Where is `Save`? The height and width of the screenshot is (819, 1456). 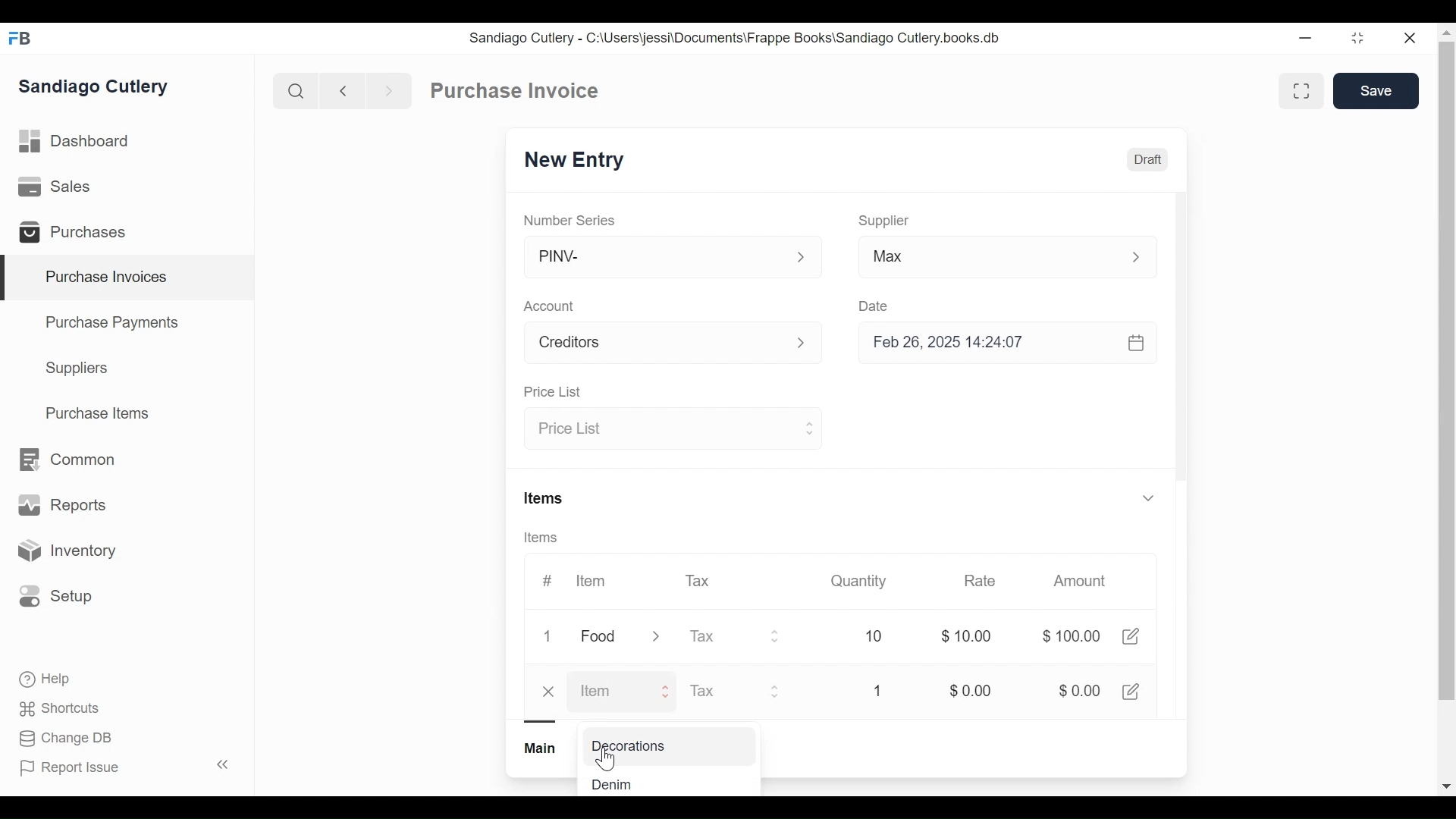
Save is located at coordinates (1376, 91).